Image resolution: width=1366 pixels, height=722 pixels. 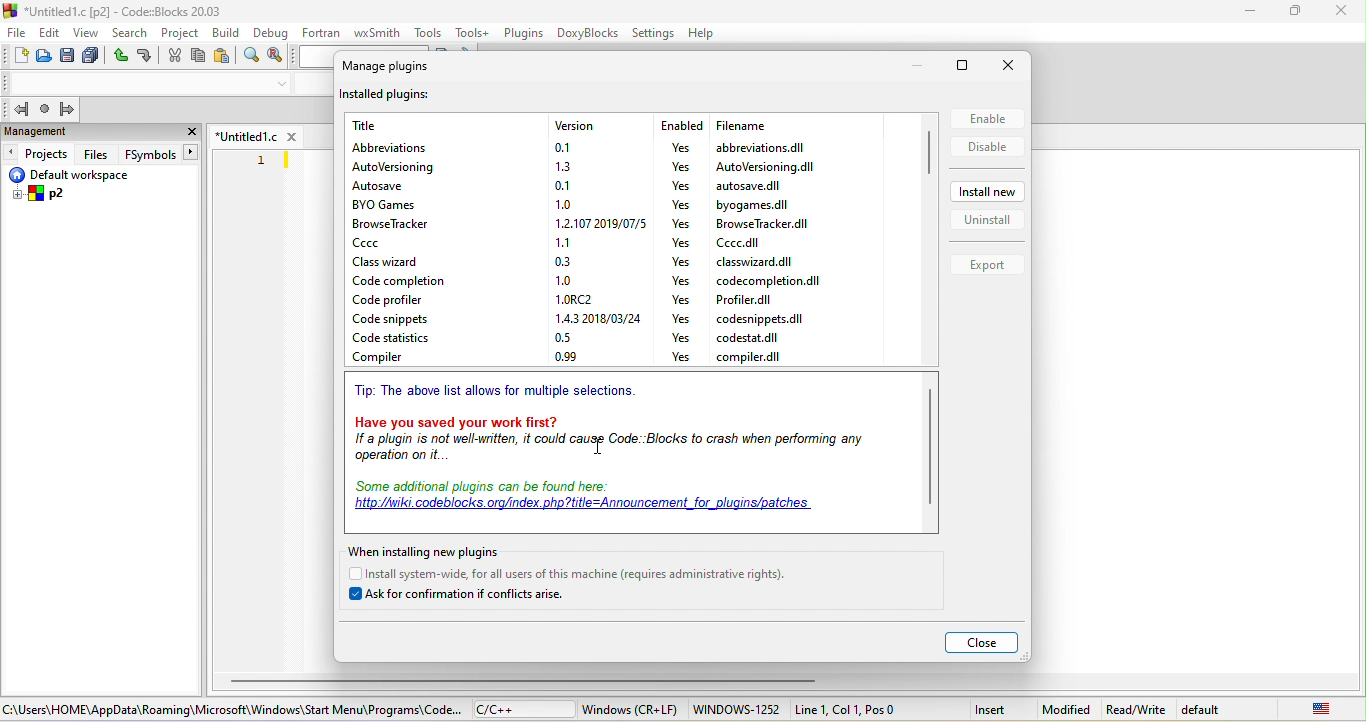 What do you see at coordinates (412, 169) in the screenshot?
I see `autoversioning` at bounding box center [412, 169].